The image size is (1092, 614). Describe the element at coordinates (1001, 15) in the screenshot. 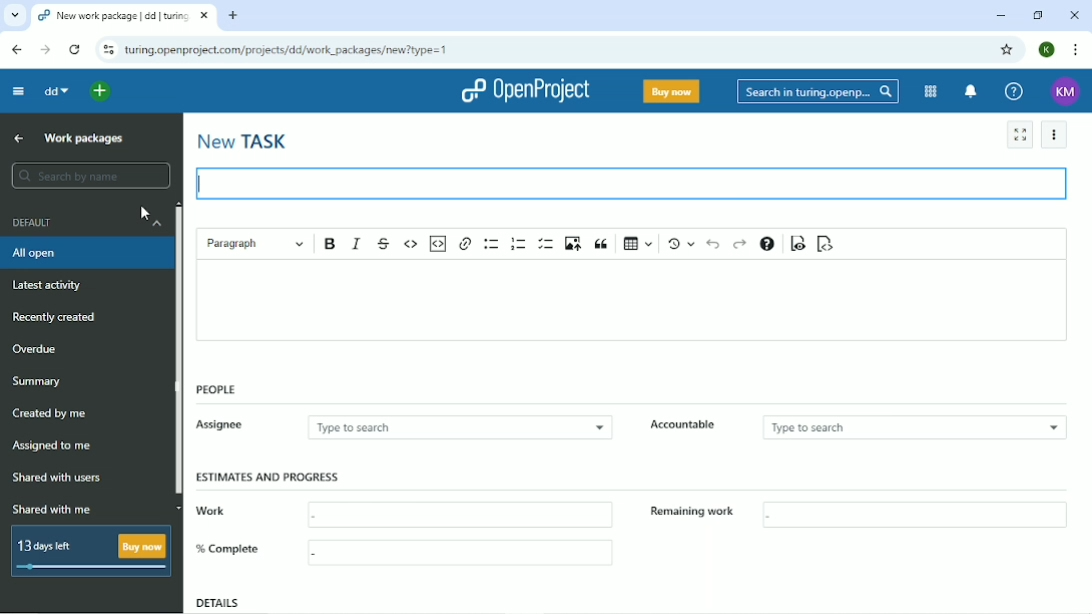

I see `Minimize` at that location.